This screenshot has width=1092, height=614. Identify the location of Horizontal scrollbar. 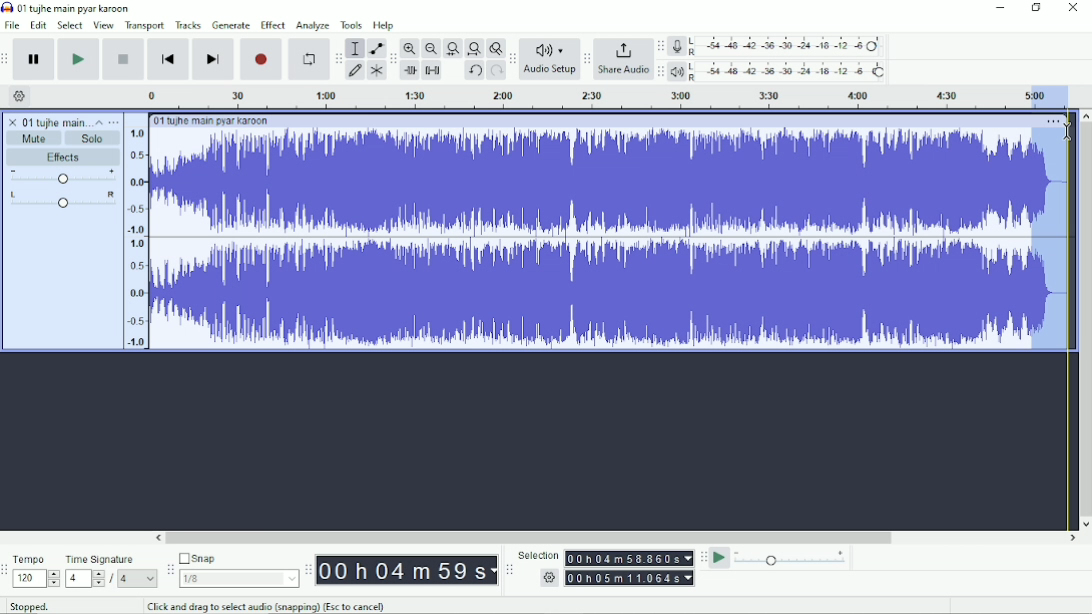
(616, 538).